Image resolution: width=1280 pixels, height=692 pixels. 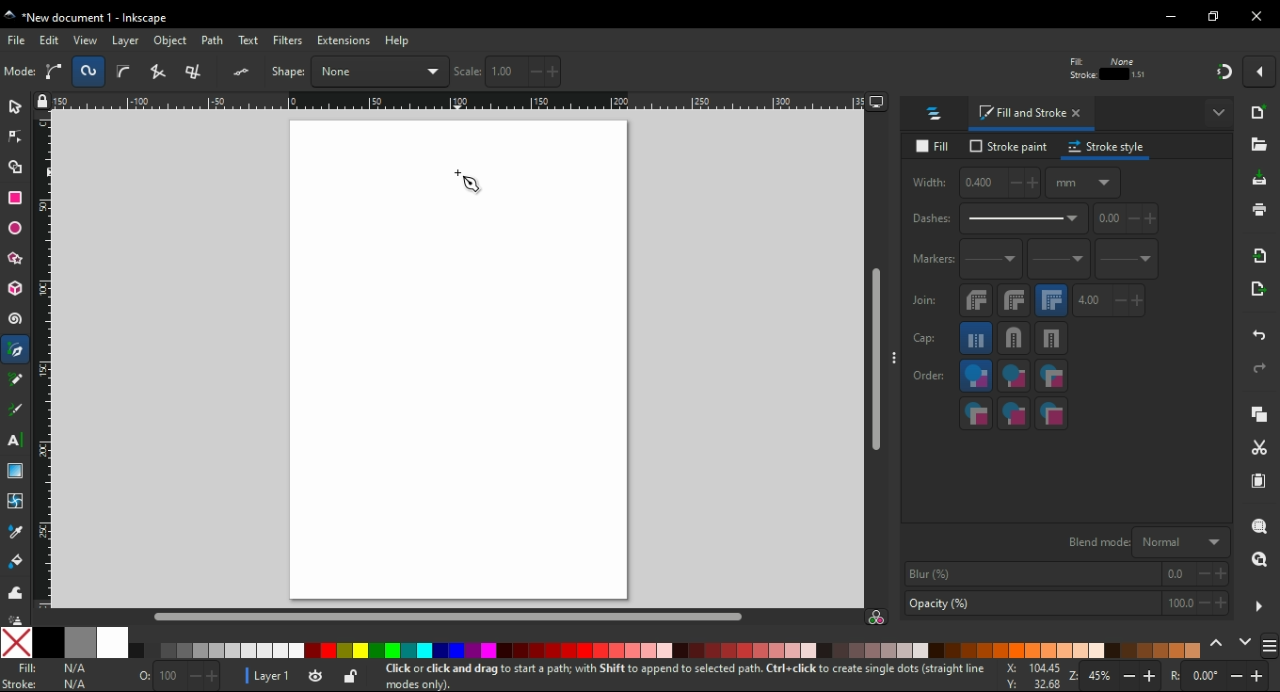 I want to click on black, so click(x=47, y=642).